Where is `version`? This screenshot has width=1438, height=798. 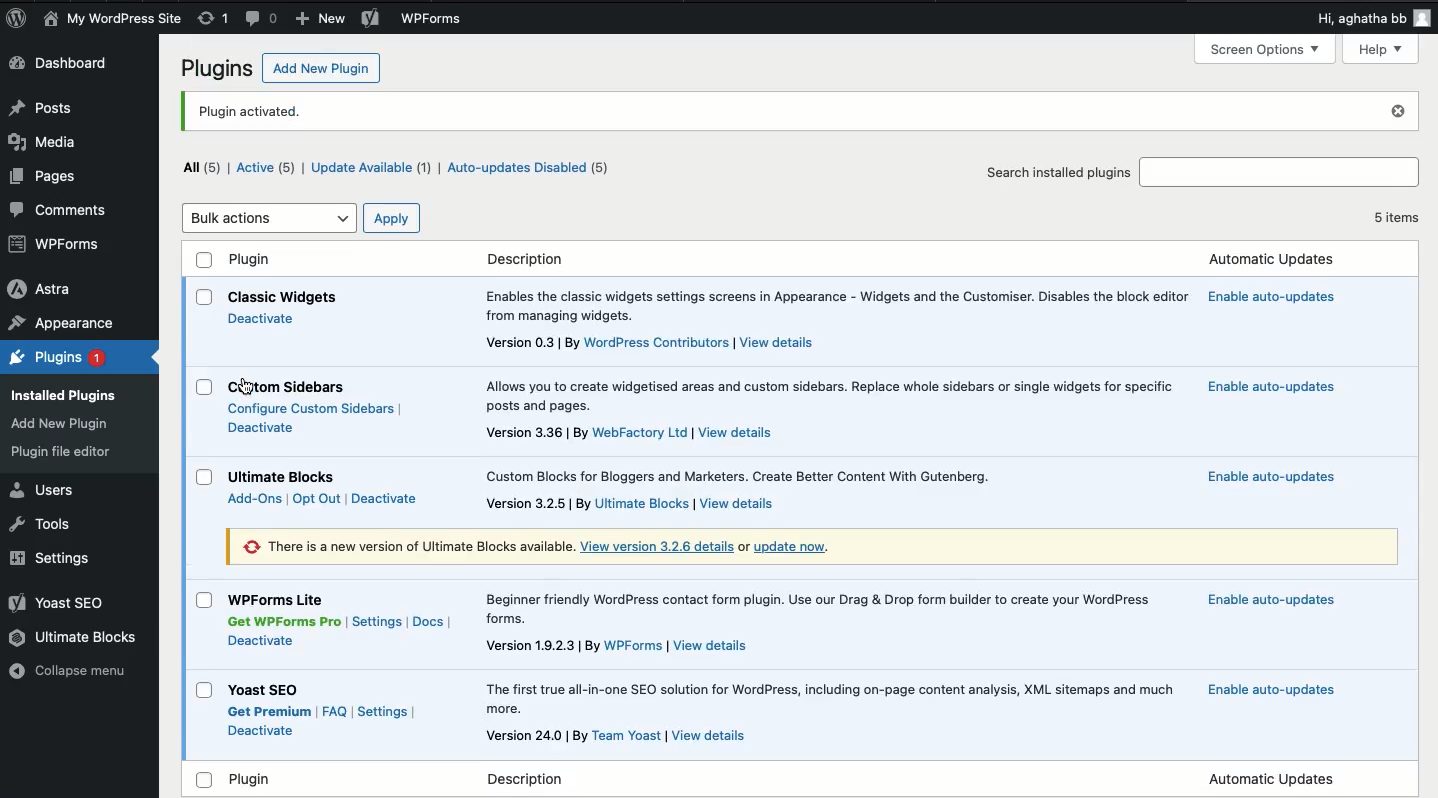 version is located at coordinates (532, 432).